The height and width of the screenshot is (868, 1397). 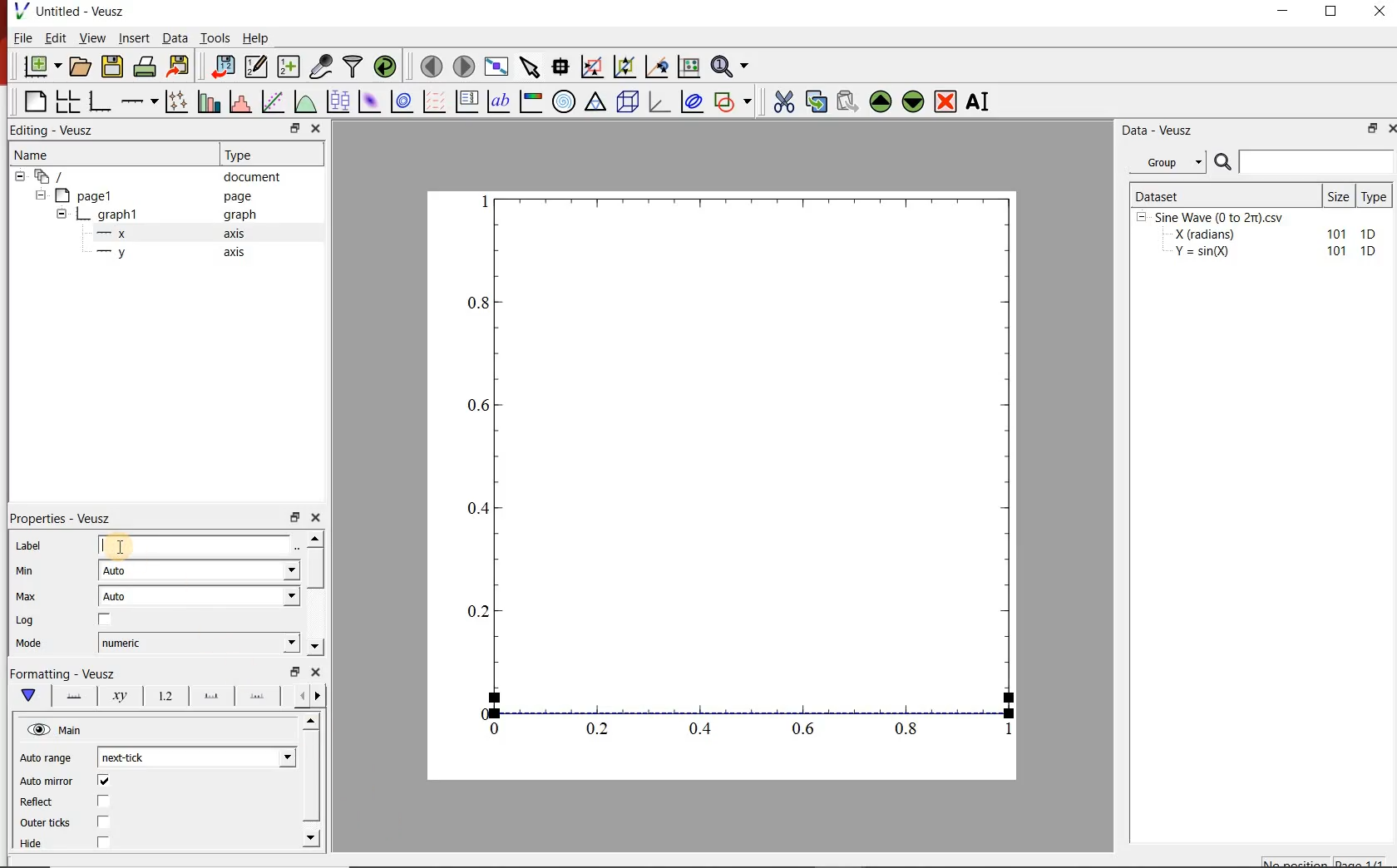 I want to click on save document, so click(x=112, y=67).